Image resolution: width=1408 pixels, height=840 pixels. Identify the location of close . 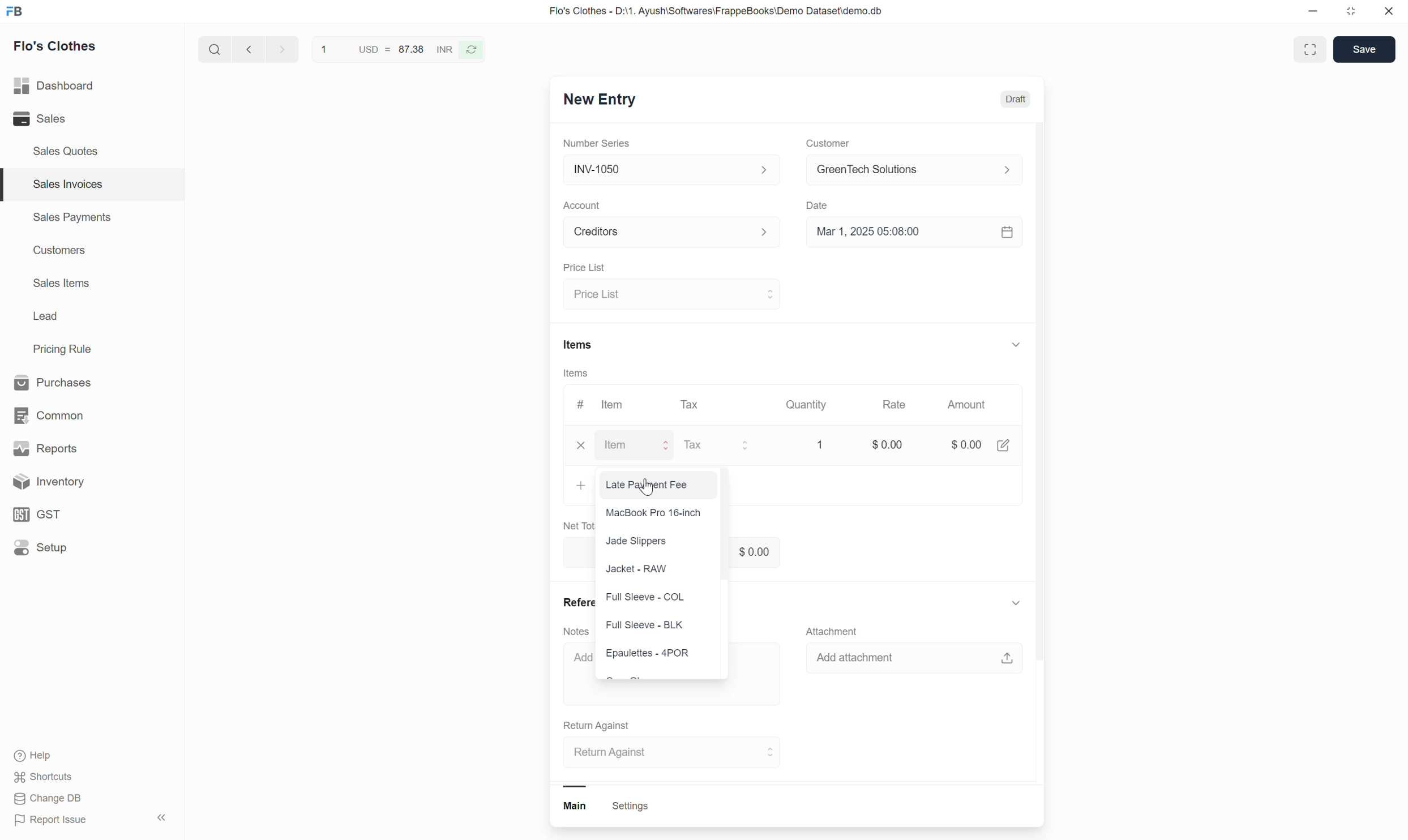
(575, 448).